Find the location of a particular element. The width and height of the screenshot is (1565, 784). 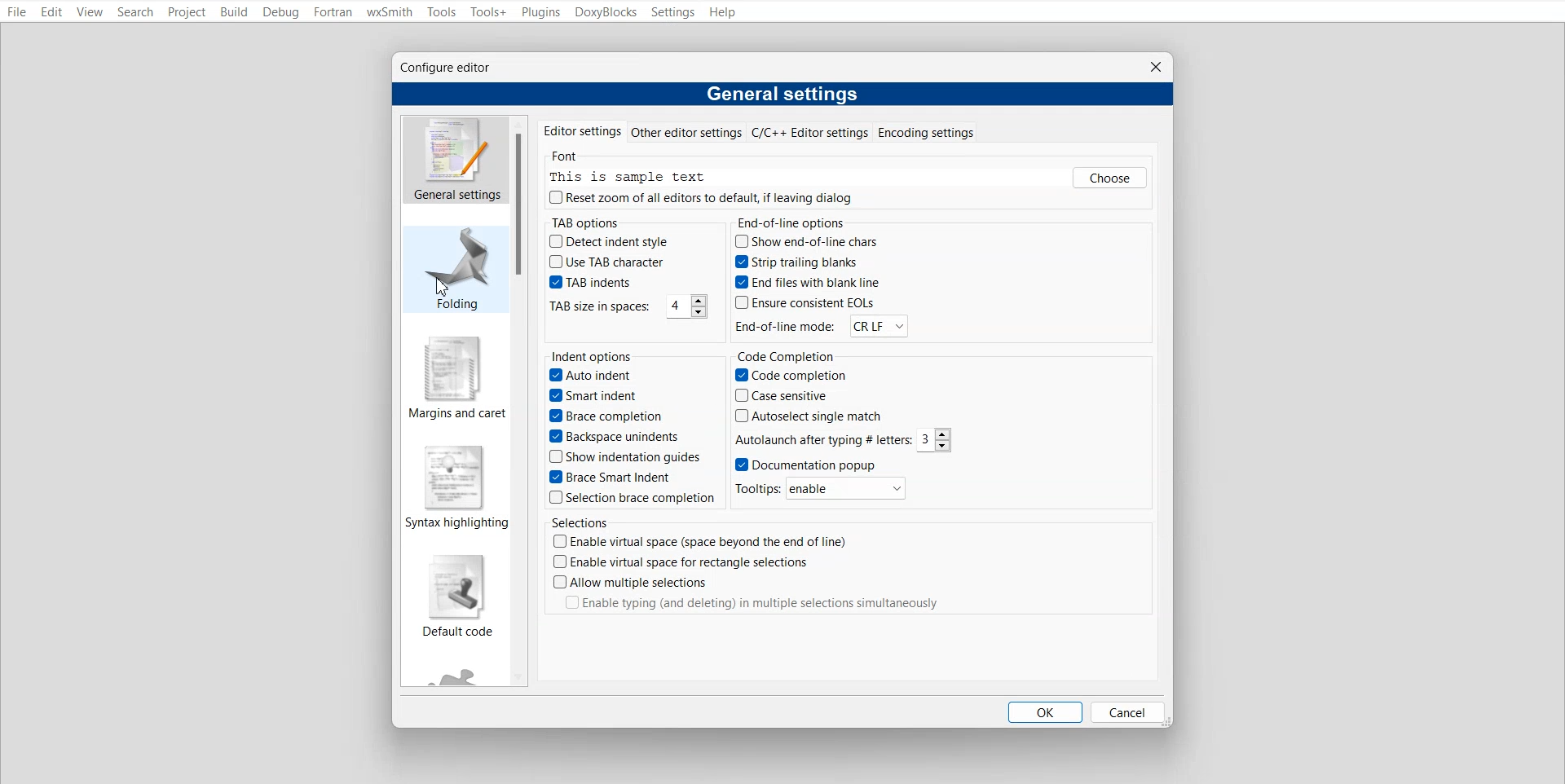

Brace completion is located at coordinates (610, 416).